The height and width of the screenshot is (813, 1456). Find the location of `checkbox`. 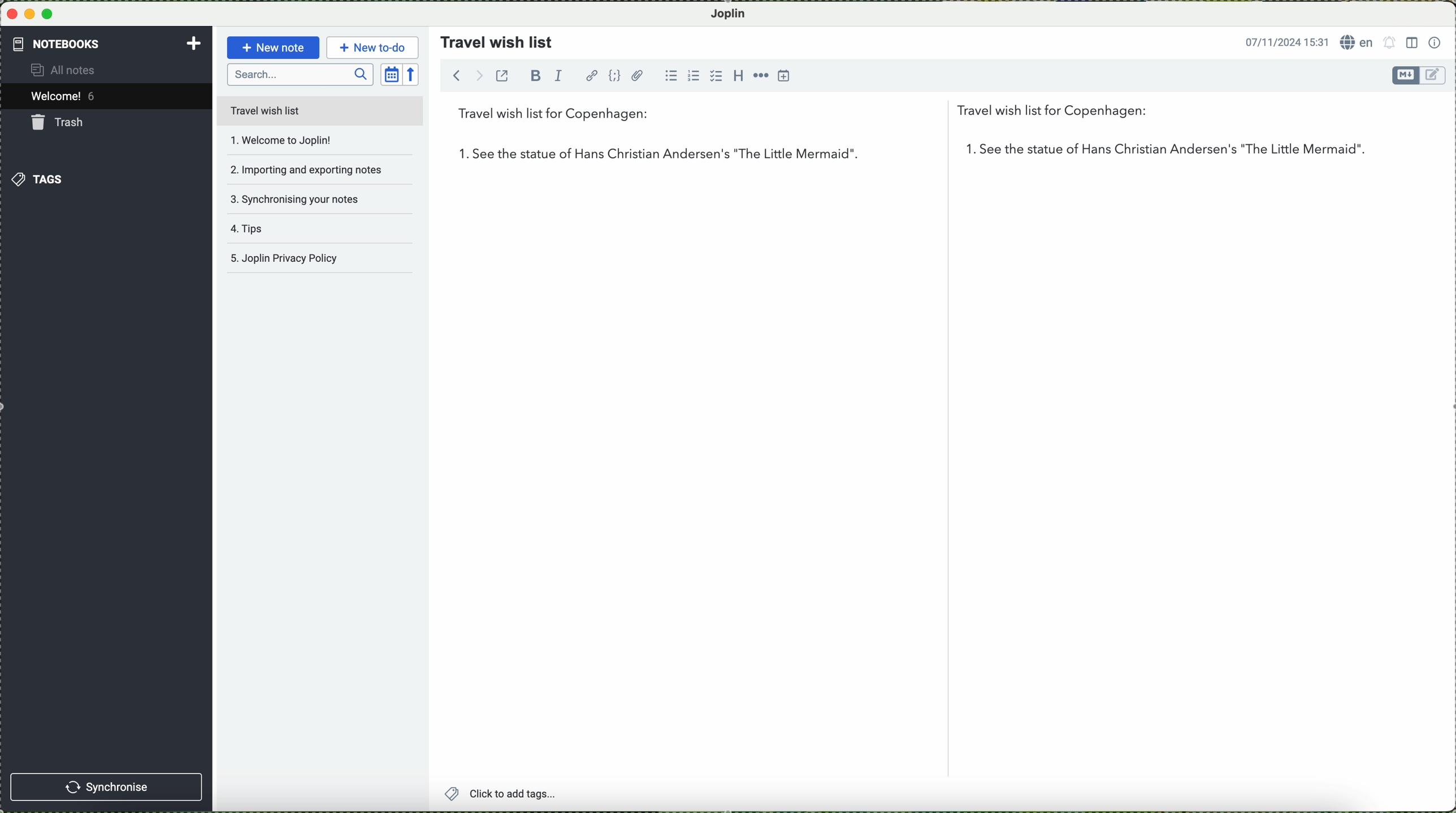

checkbox is located at coordinates (714, 76).